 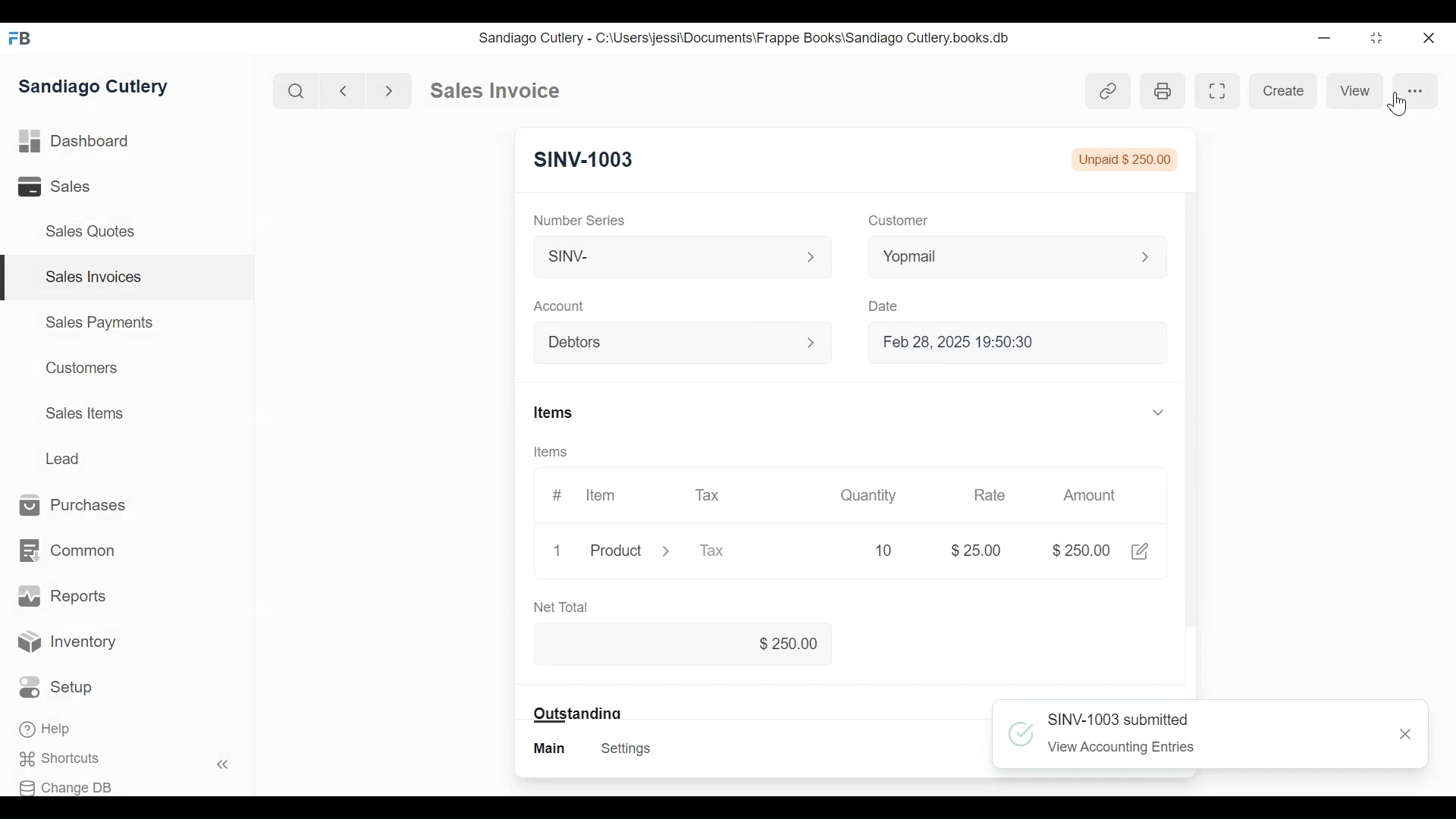 I want to click on Inventory, so click(x=67, y=644).